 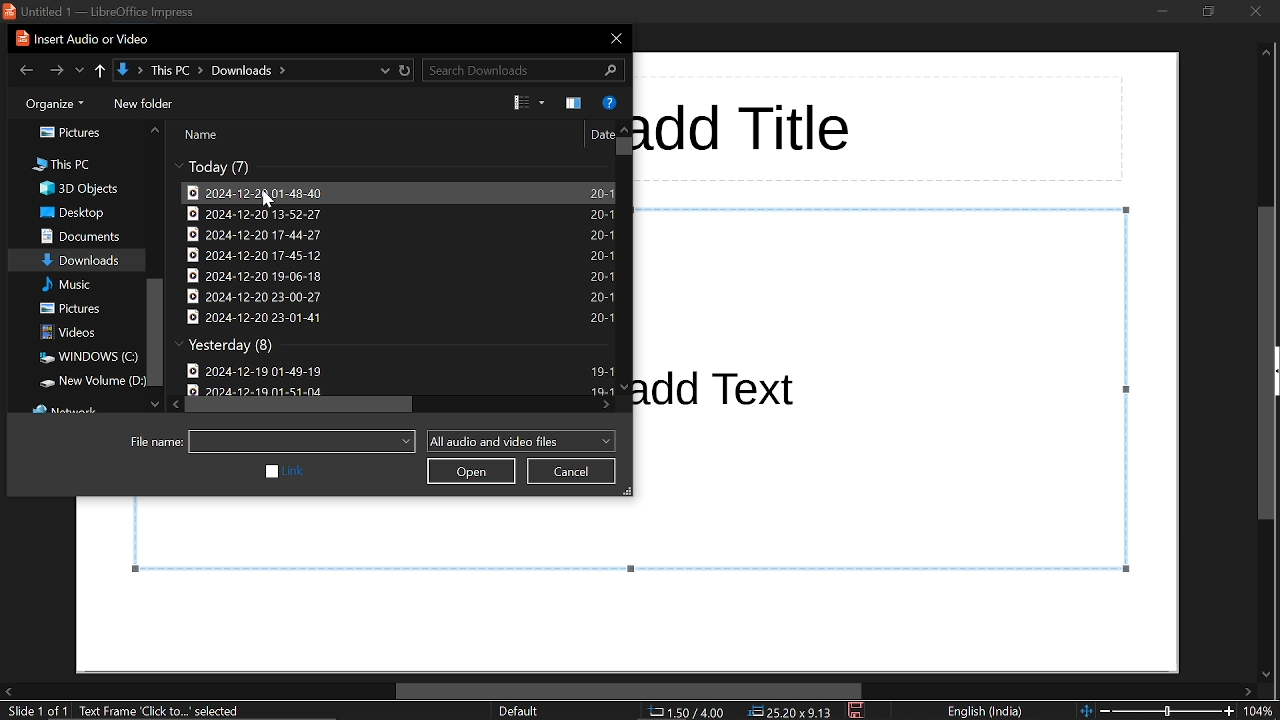 What do you see at coordinates (747, 129) in the screenshot?
I see `add title` at bounding box center [747, 129].